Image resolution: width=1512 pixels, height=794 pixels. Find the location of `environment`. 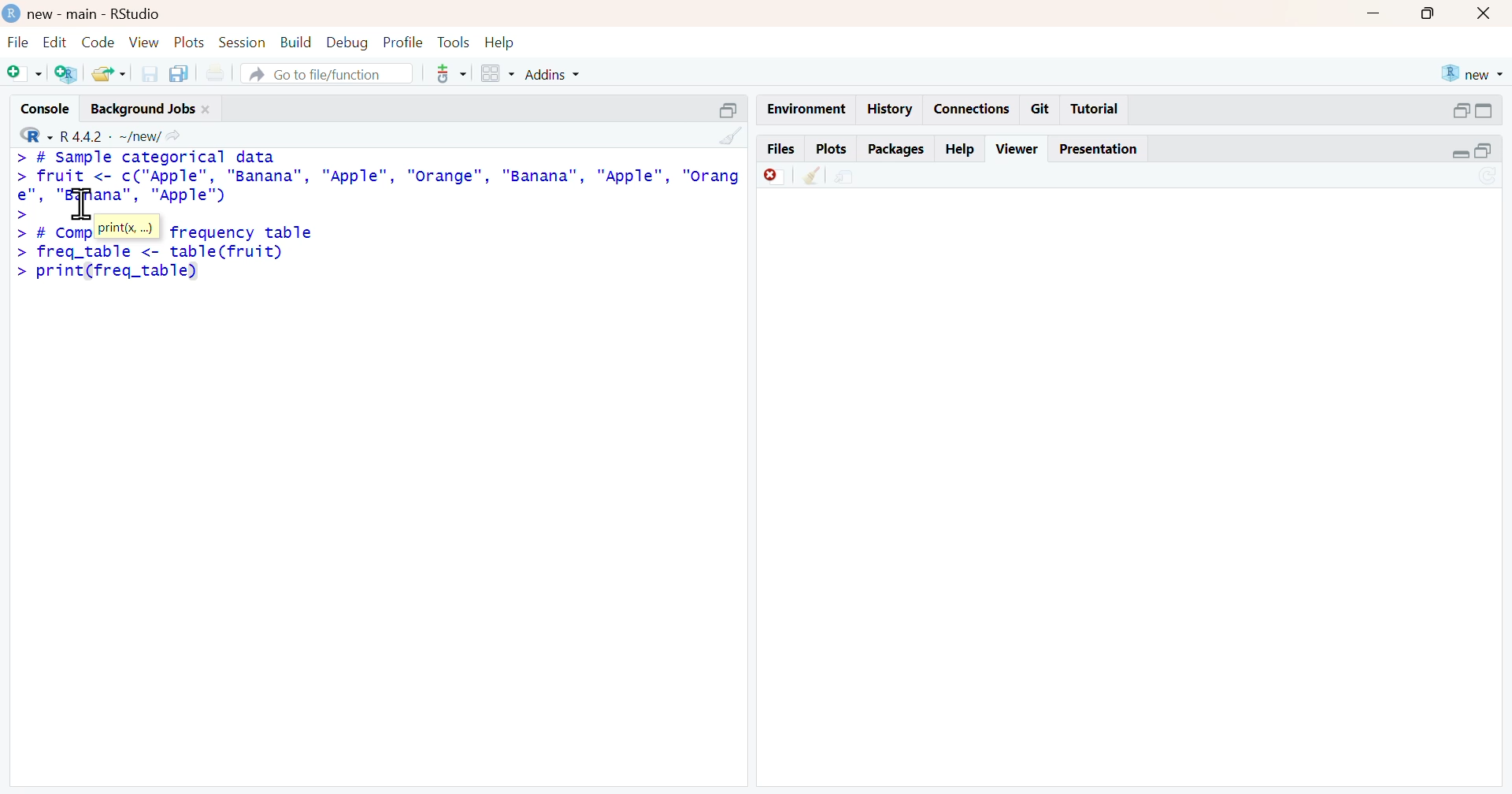

environment is located at coordinates (809, 106).